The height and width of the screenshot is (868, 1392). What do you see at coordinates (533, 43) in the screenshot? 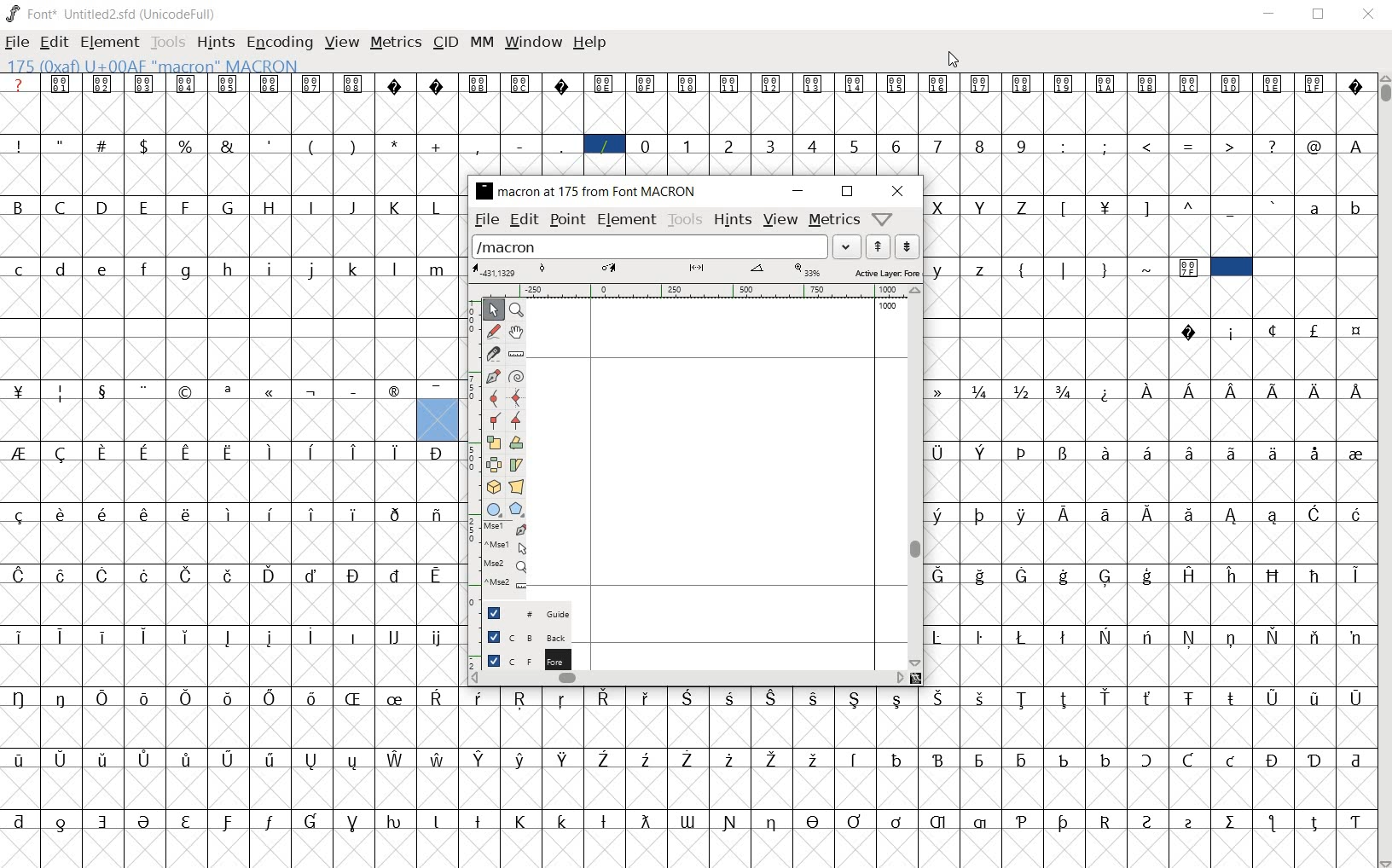
I see `window` at bounding box center [533, 43].